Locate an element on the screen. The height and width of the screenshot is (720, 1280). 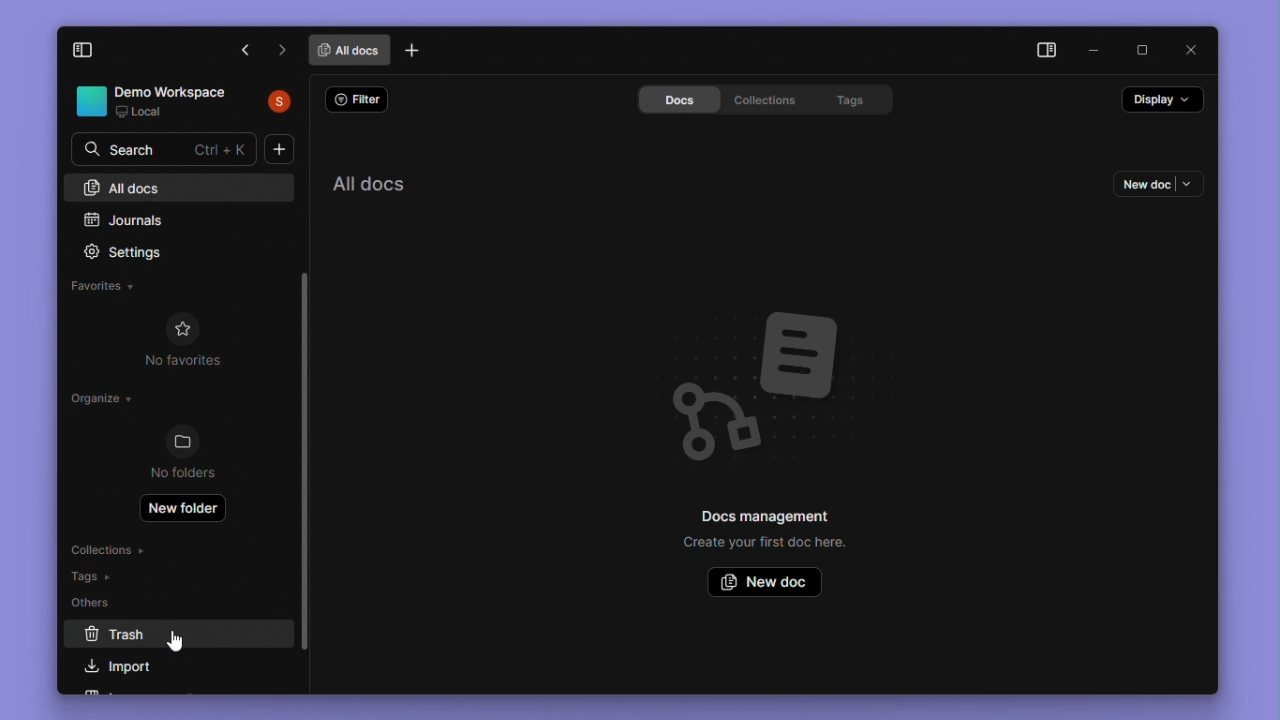
Collections is located at coordinates (769, 101).